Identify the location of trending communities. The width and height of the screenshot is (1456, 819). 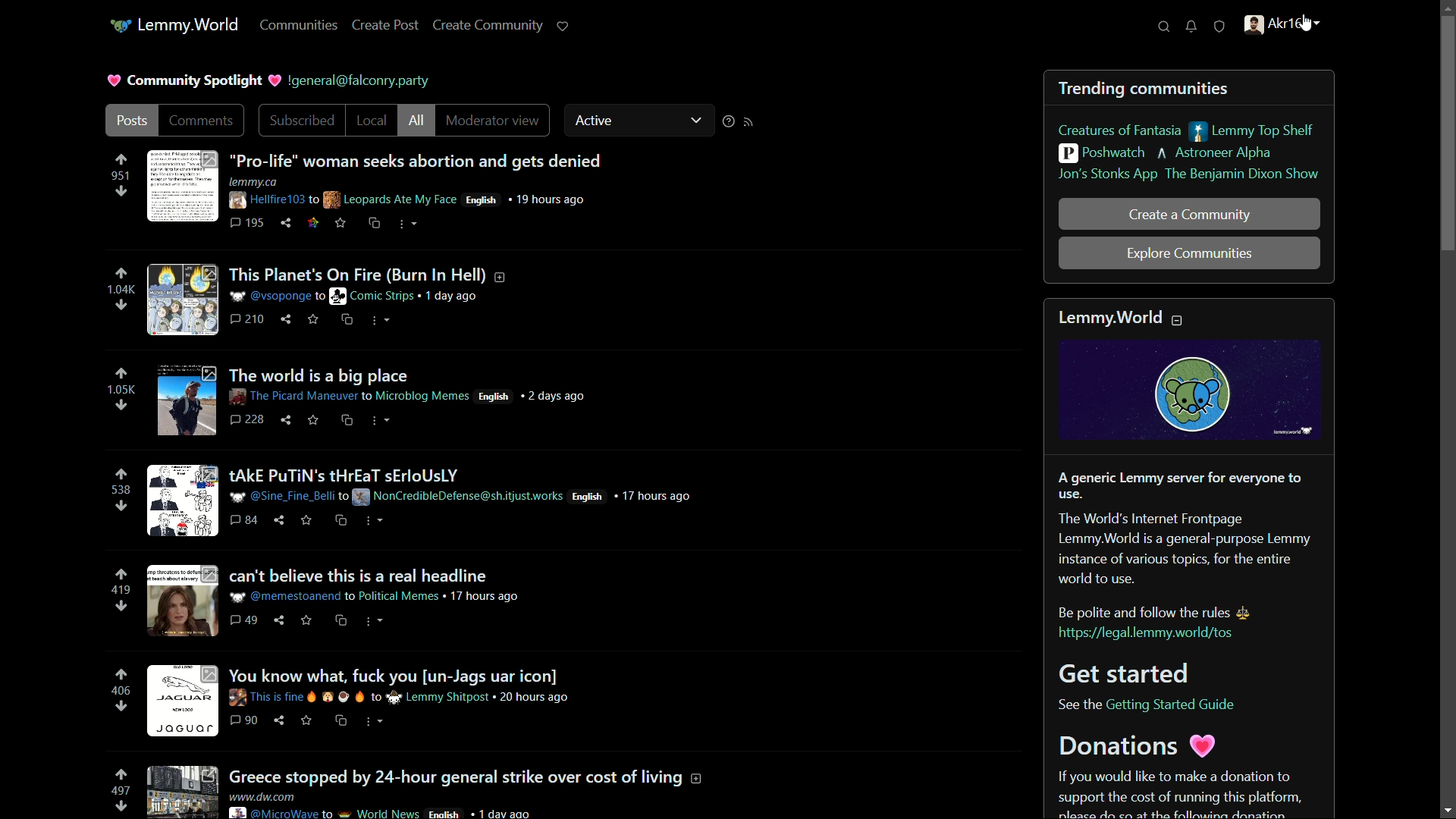
(1145, 88).